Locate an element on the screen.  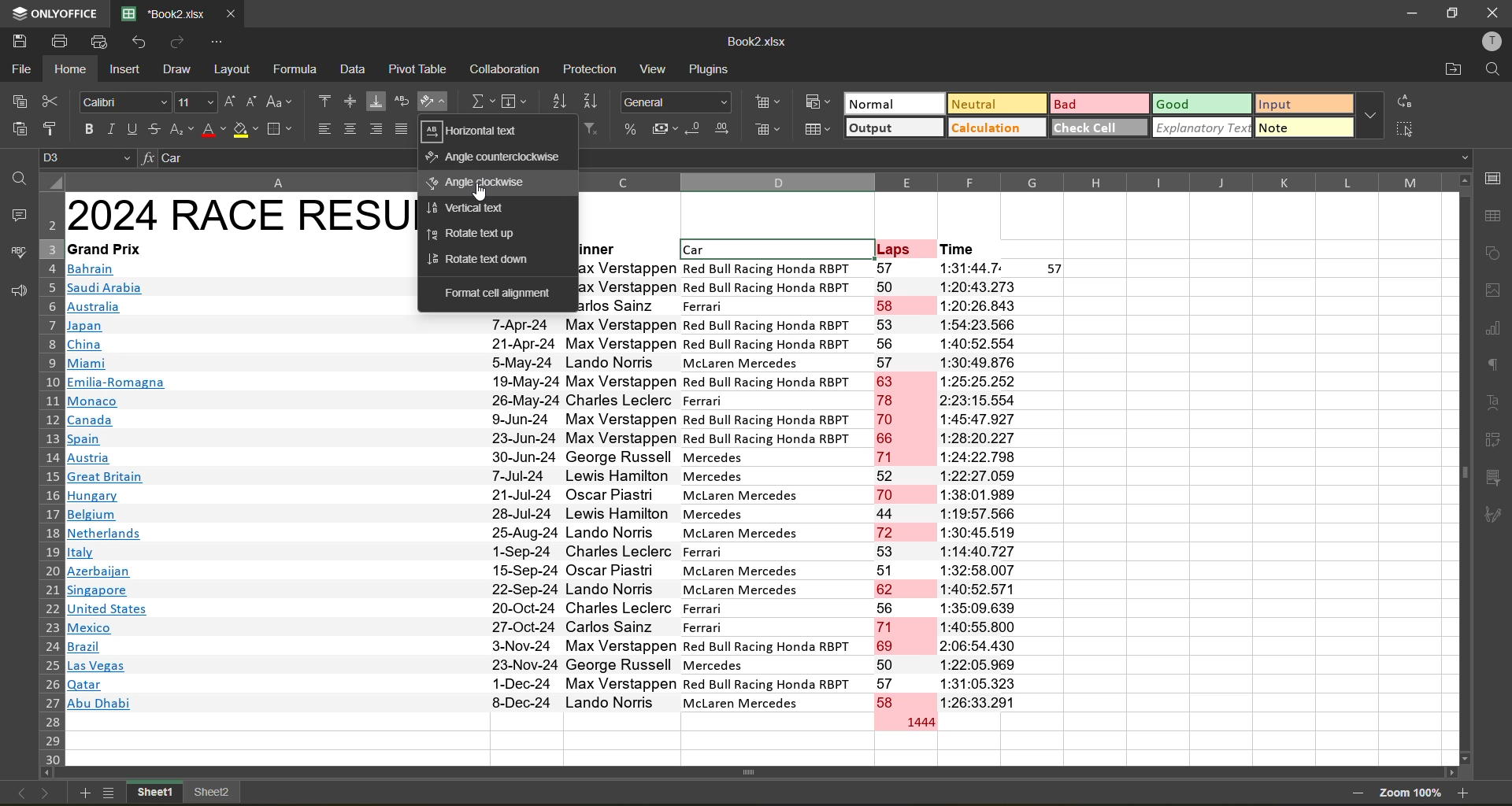
align top is located at coordinates (322, 101).